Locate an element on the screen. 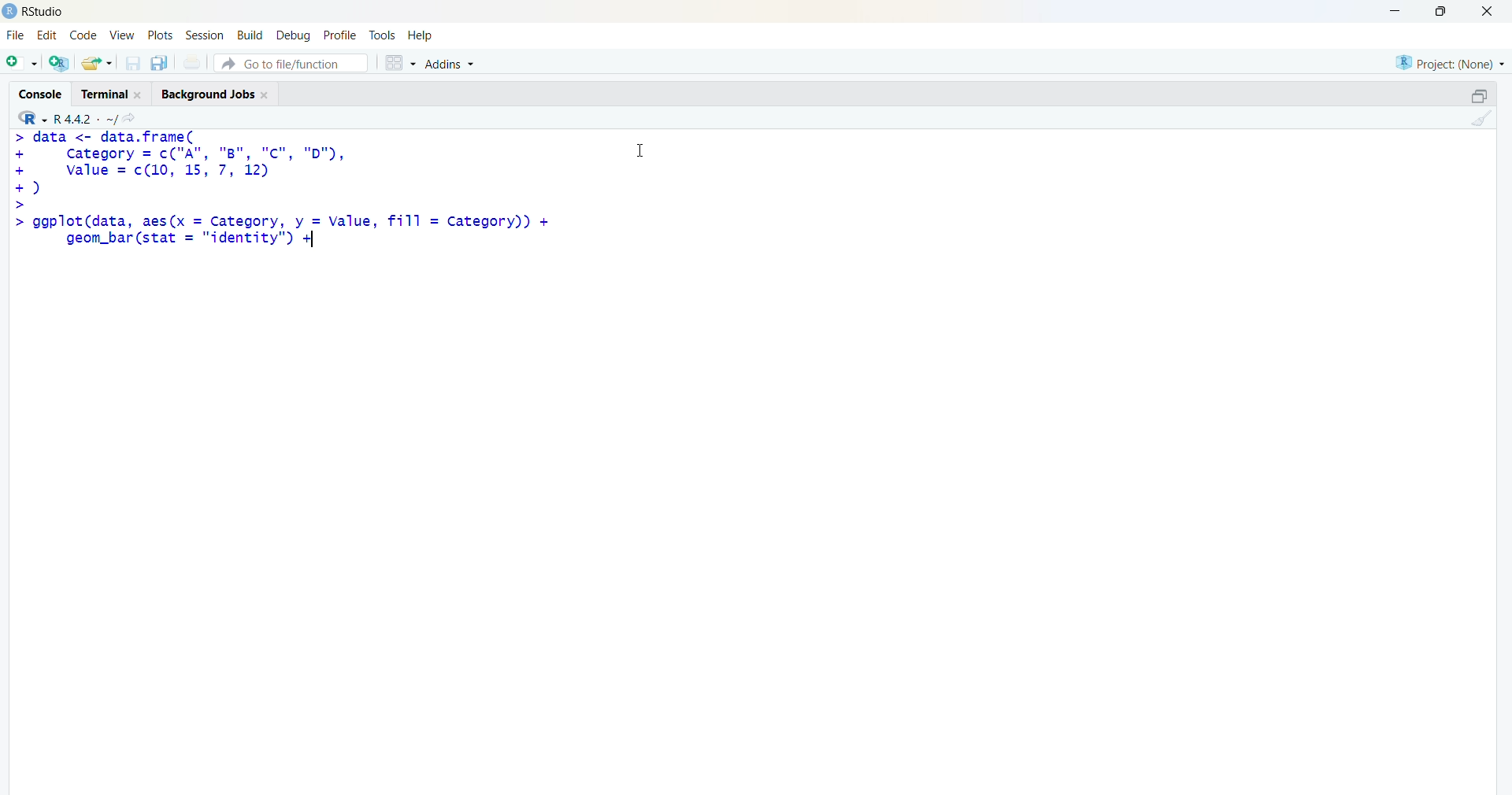  Addins is located at coordinates (453, 65).